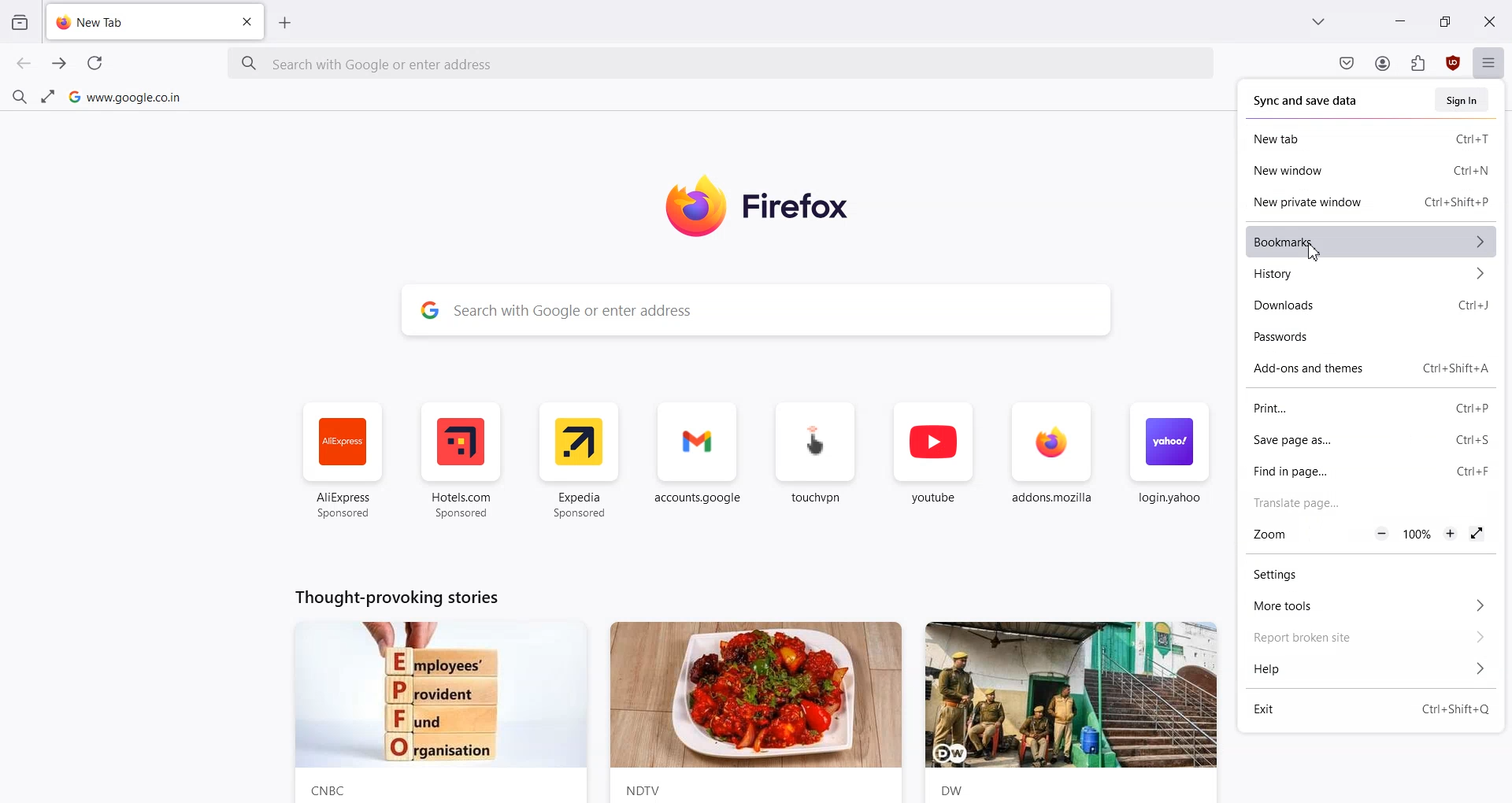 Image resolution: width=1512 pixels, height=803 pixels. What do you see at coordinates (1372, 336) in the screenshot?
I see `Passwords` at bounding box center [1372, 336].